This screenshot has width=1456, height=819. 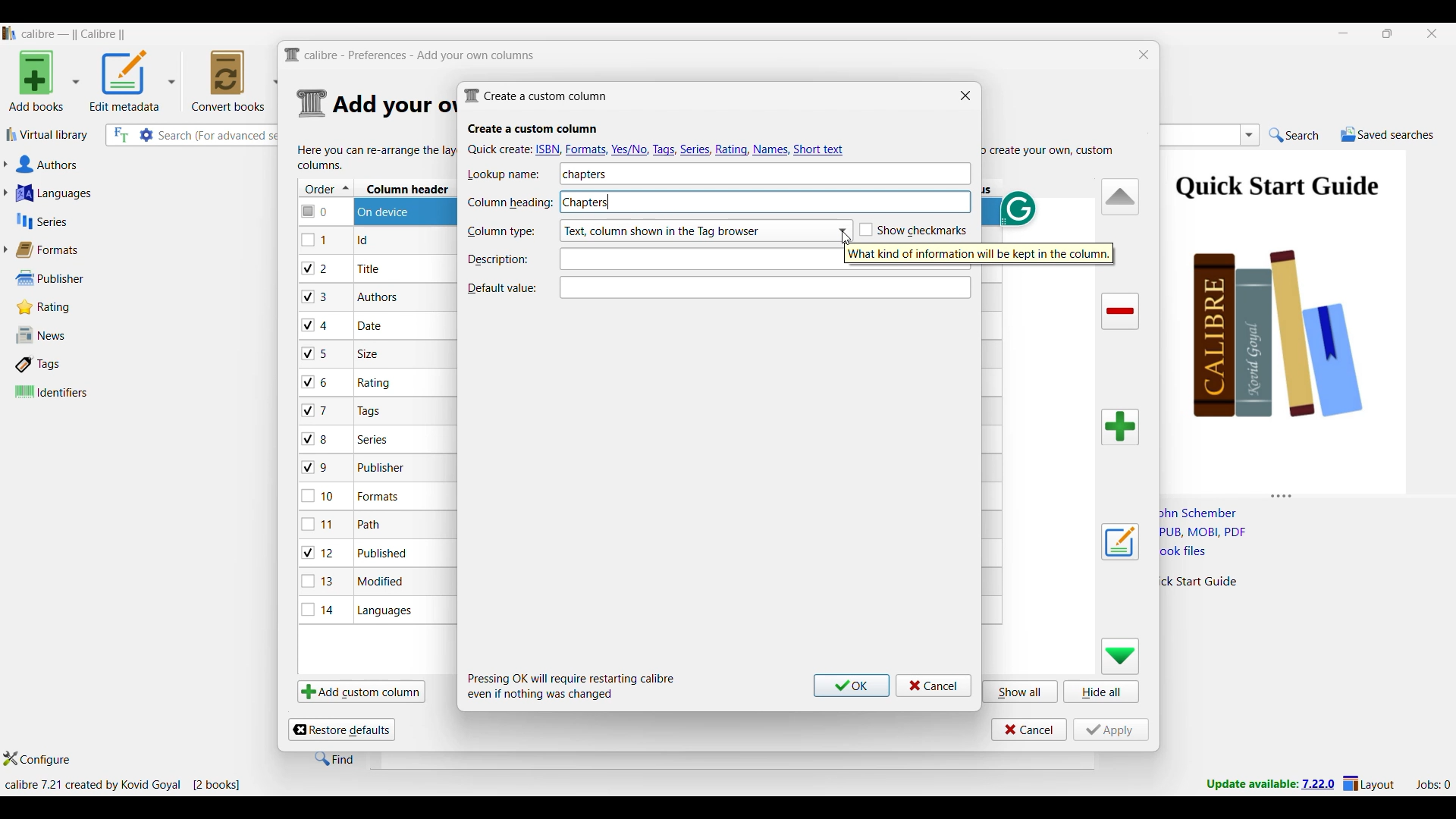 I want to click on Saved searches, so click(x=1387, y=134).